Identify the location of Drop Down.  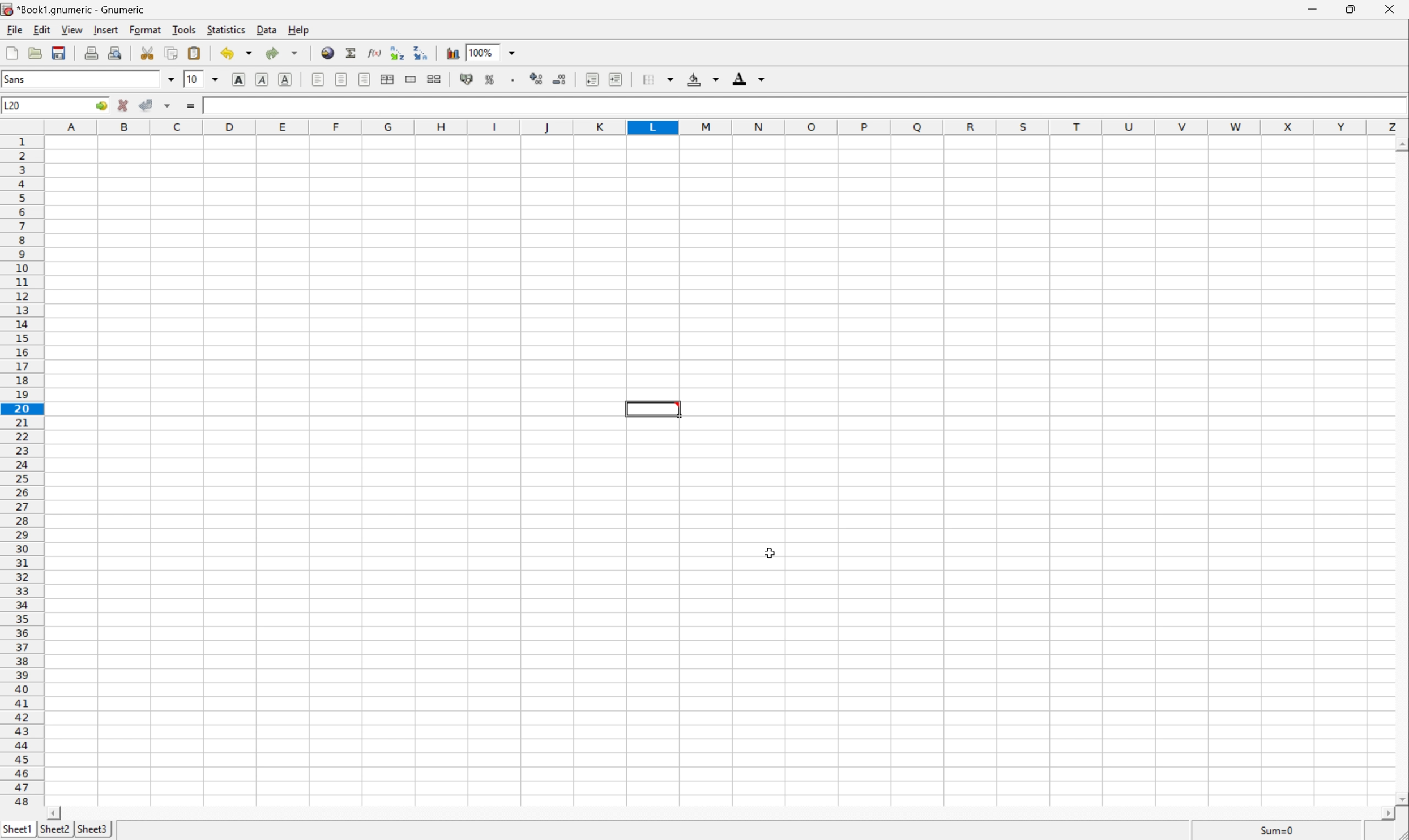
(170, 78).